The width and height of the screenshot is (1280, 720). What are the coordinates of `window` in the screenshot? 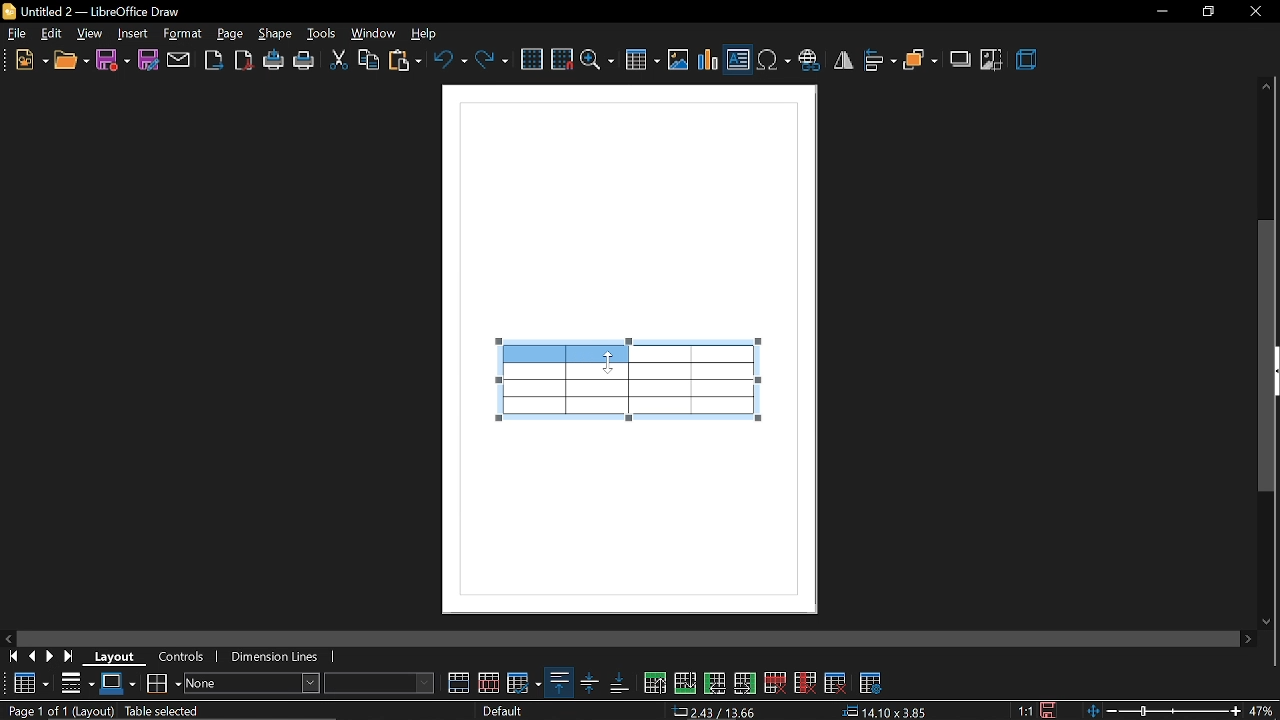 It's located at (374, 33).